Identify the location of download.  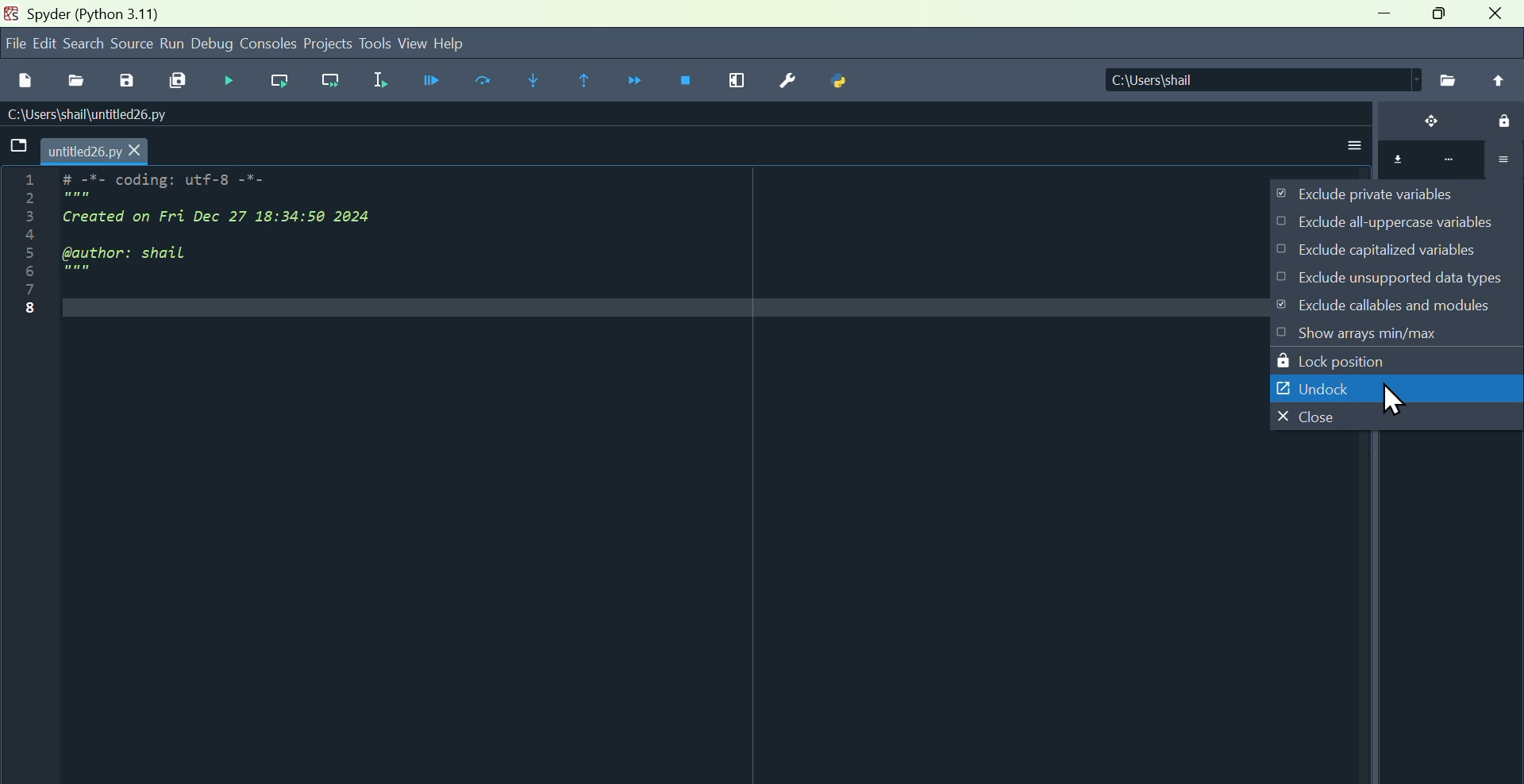
(1393, 161).